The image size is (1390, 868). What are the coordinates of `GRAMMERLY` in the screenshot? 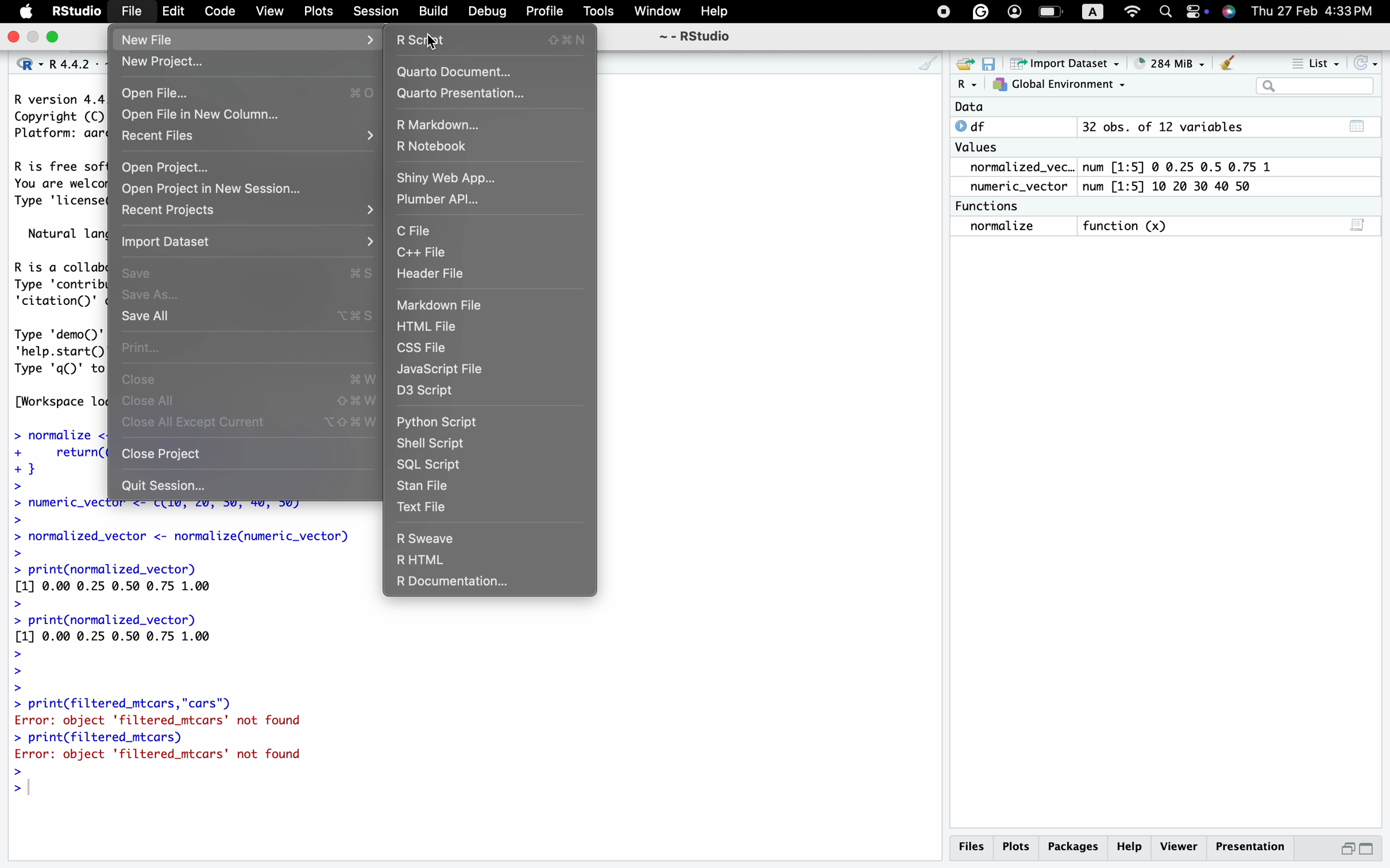 It's located at (980, 10).